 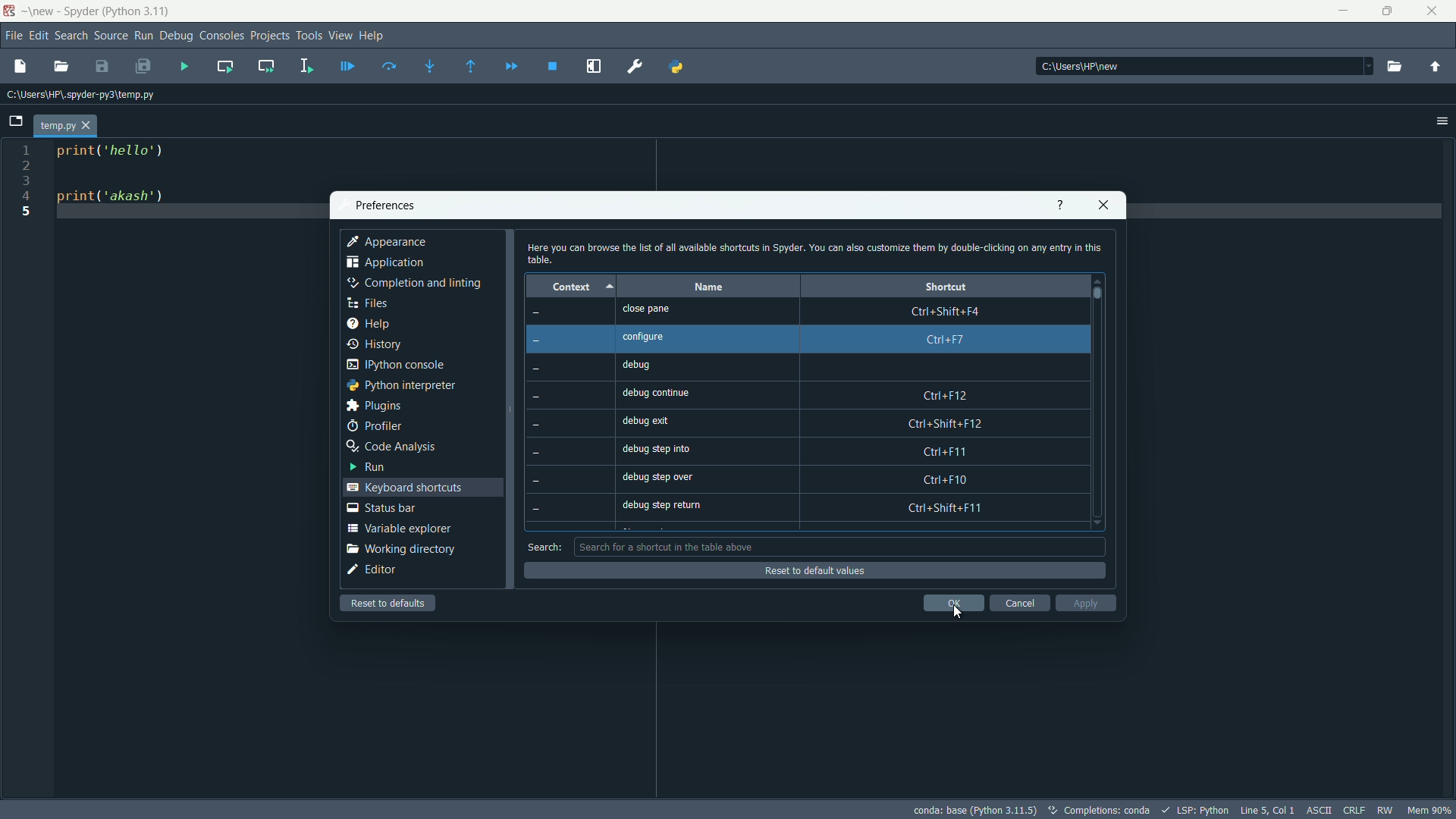 I want to click on run current line, so click(x=389, y=66).